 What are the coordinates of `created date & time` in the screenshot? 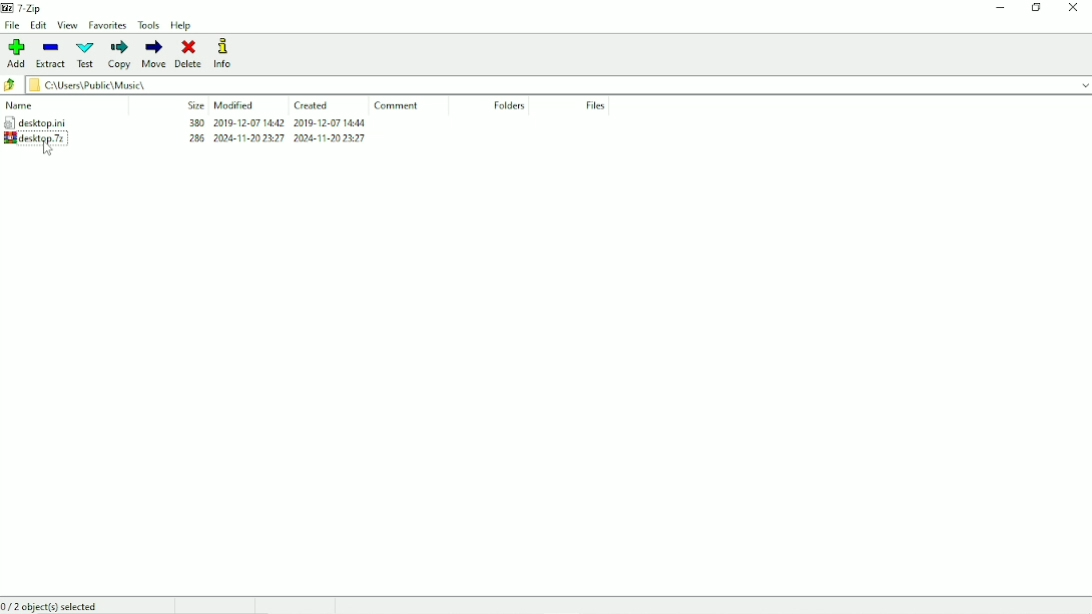 It's located at (330, 138).